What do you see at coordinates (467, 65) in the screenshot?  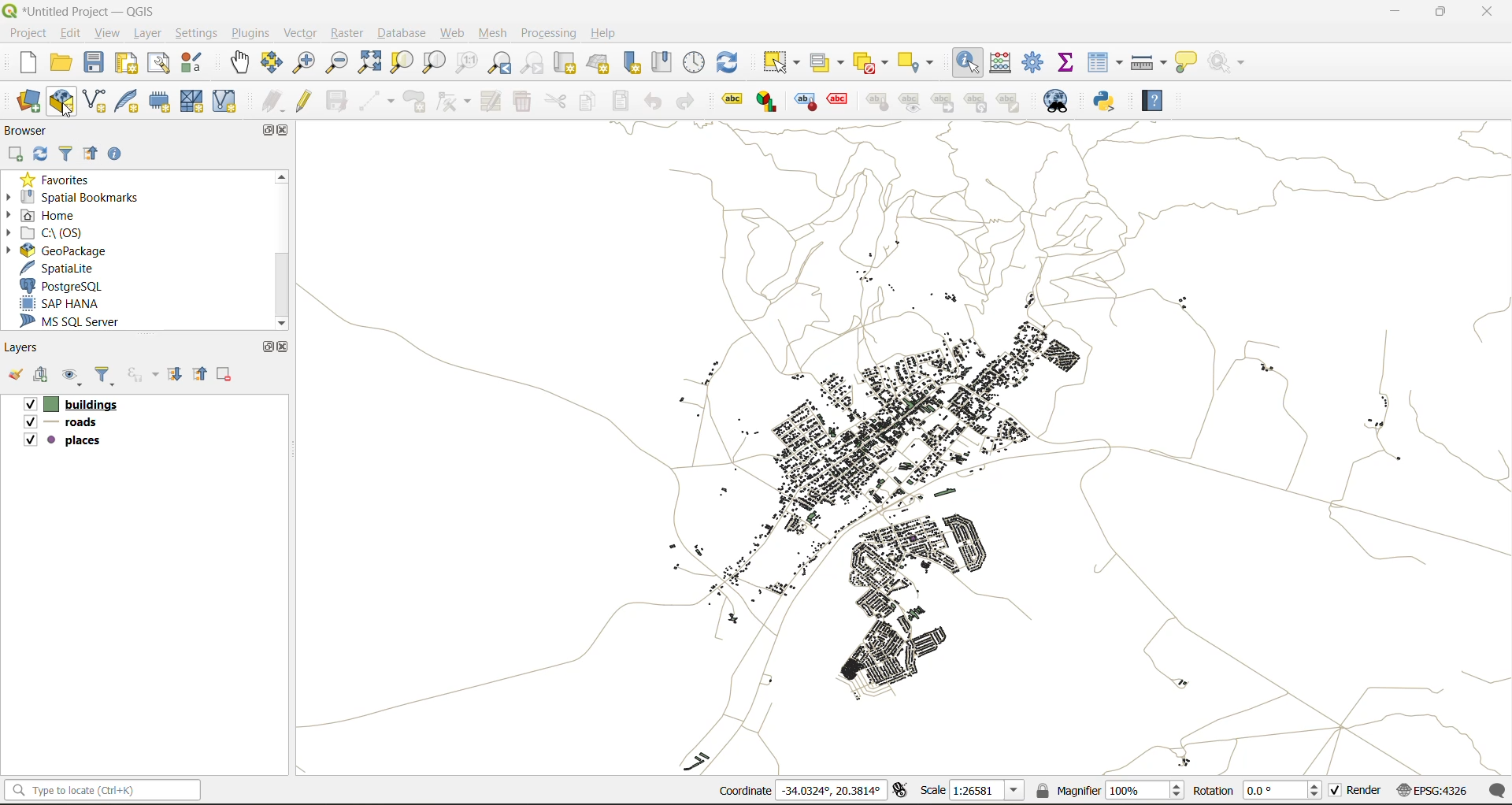 I see `zoom native` at bounding box center [467, 65].